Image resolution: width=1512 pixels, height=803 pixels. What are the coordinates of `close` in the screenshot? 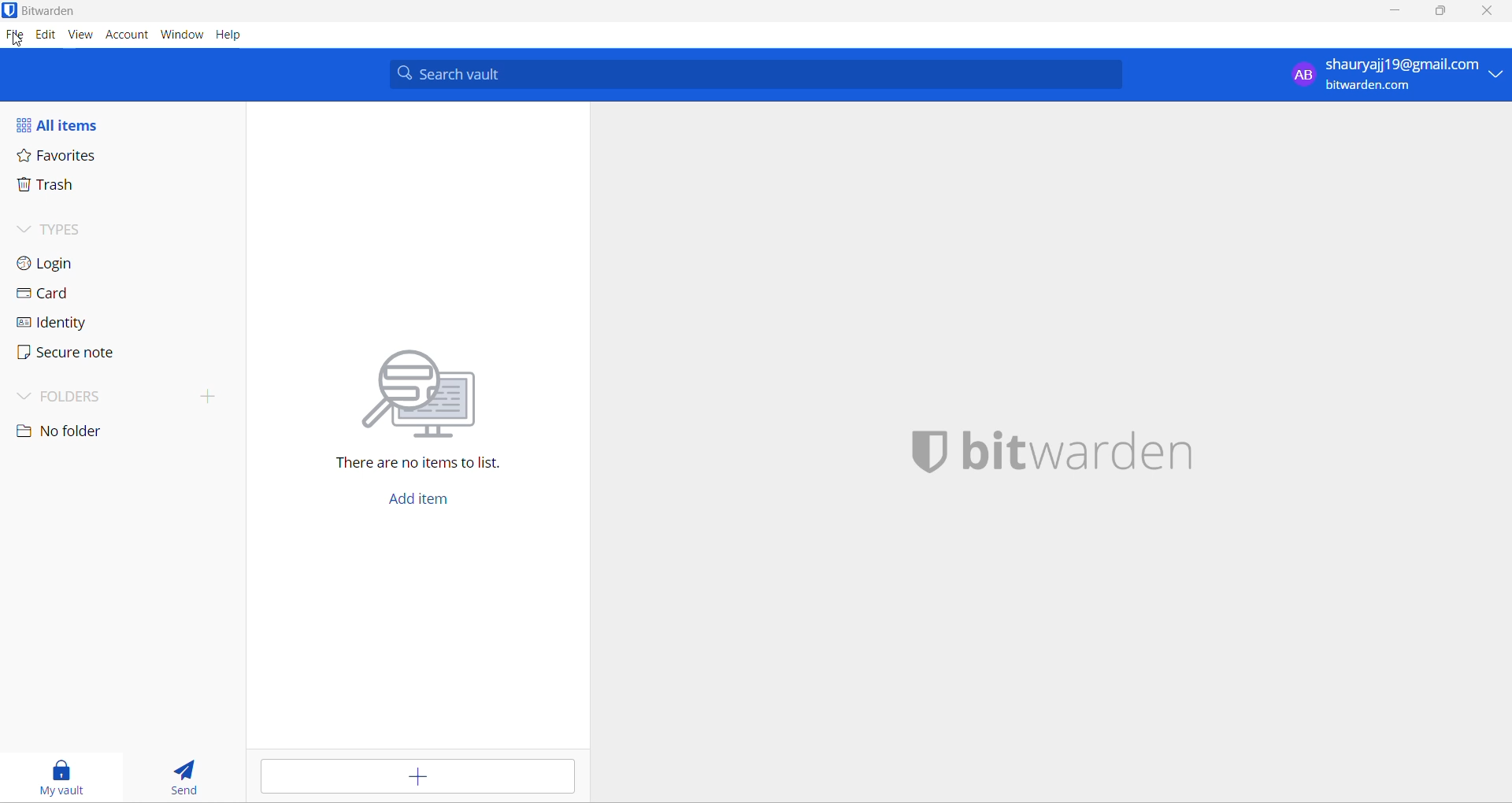 It's located at (1486, 12).